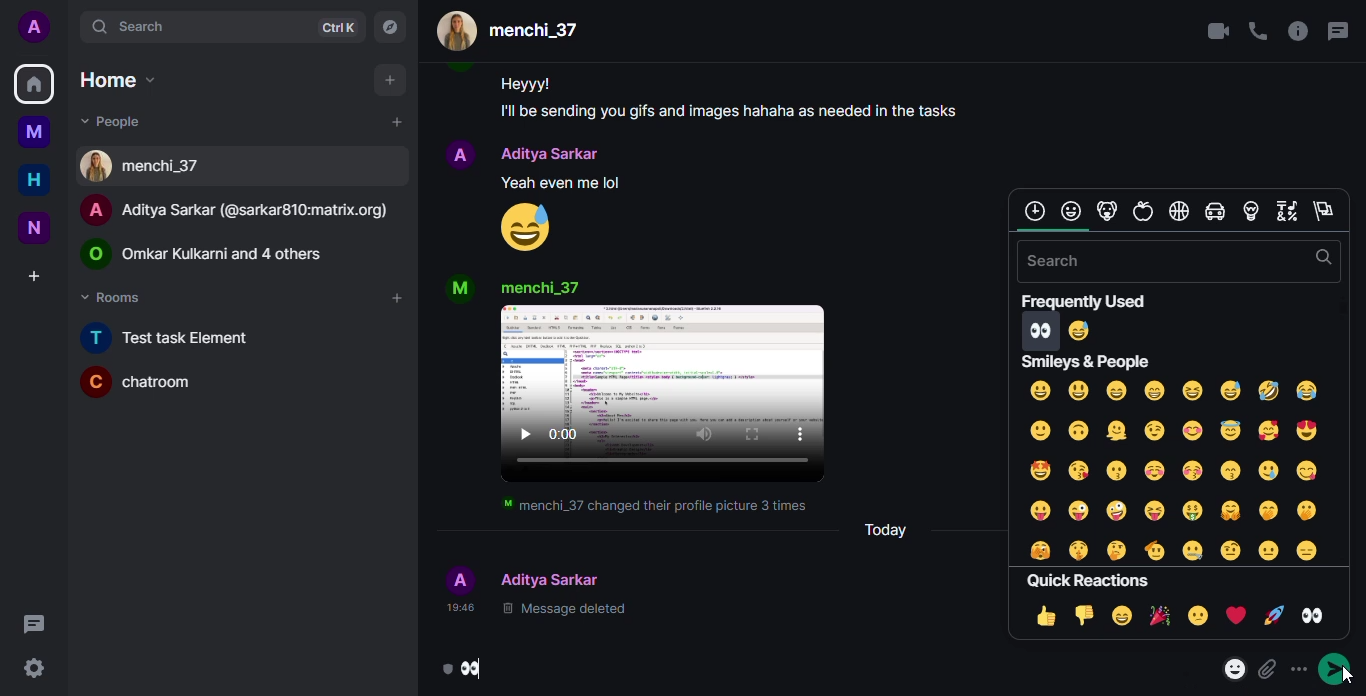  I want to click on Yeah even me lol, so click(566, 182).